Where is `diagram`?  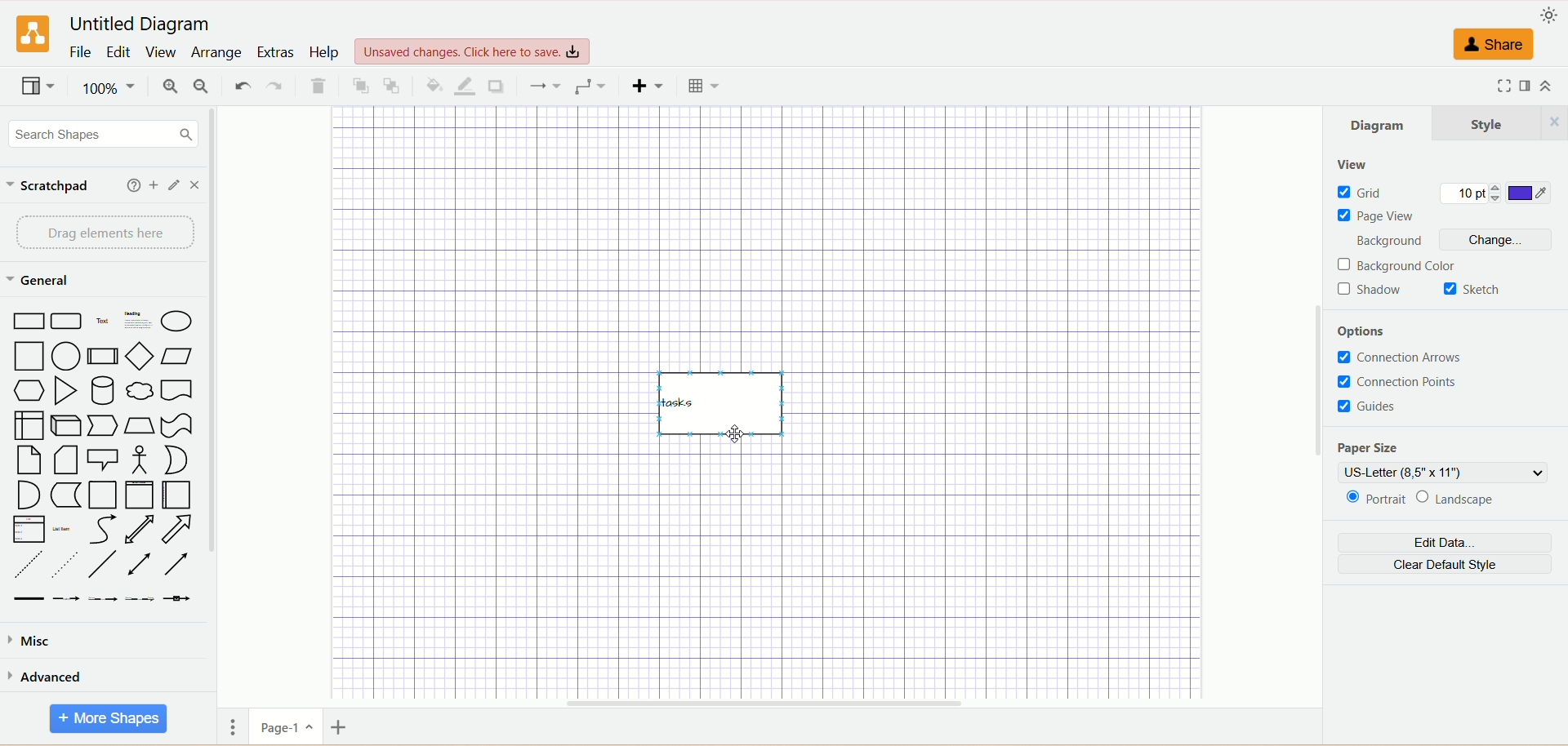 diagram is located at coordinates (1380, 123).